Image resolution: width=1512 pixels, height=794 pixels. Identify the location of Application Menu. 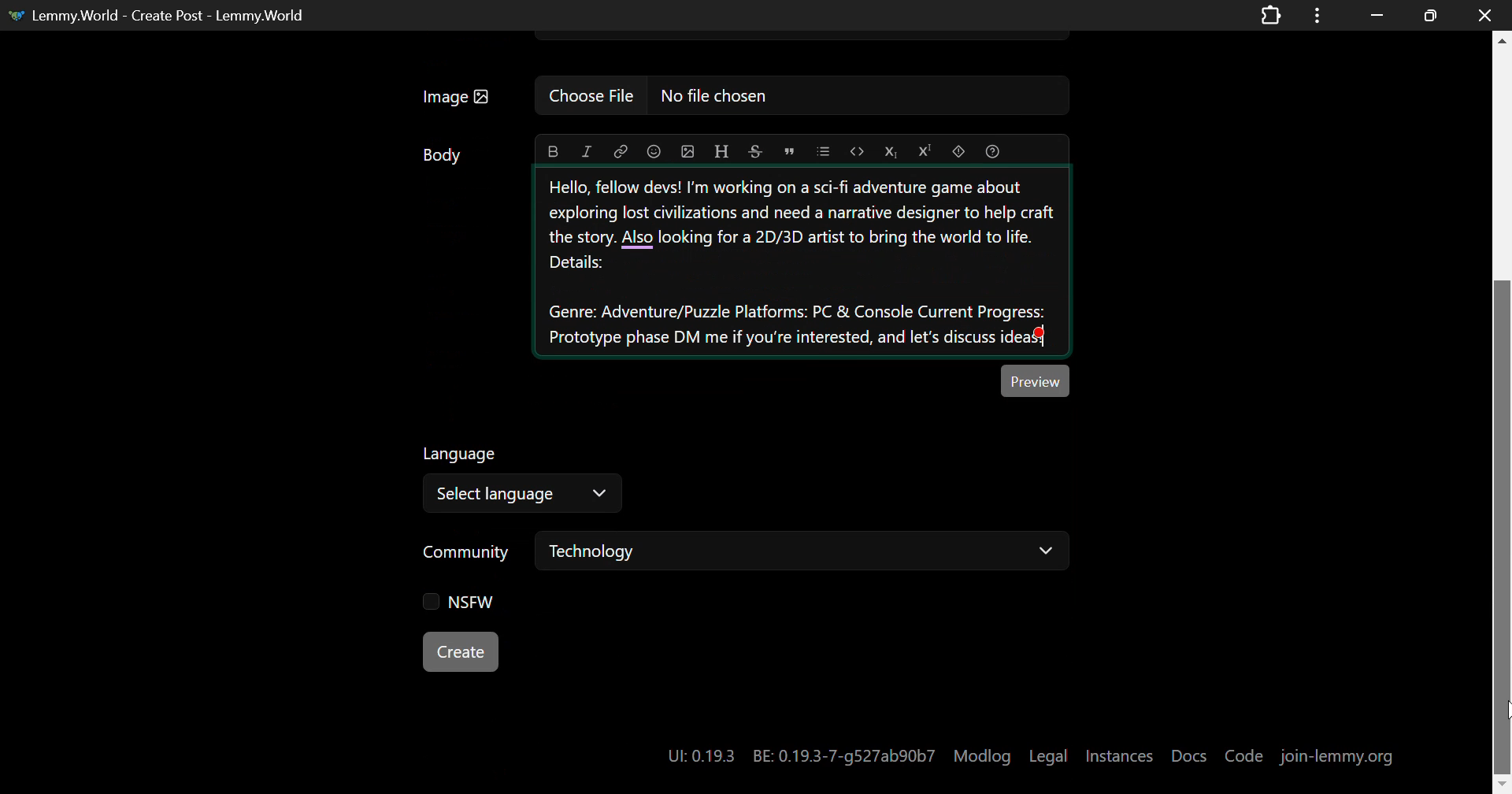
(1319, 15).